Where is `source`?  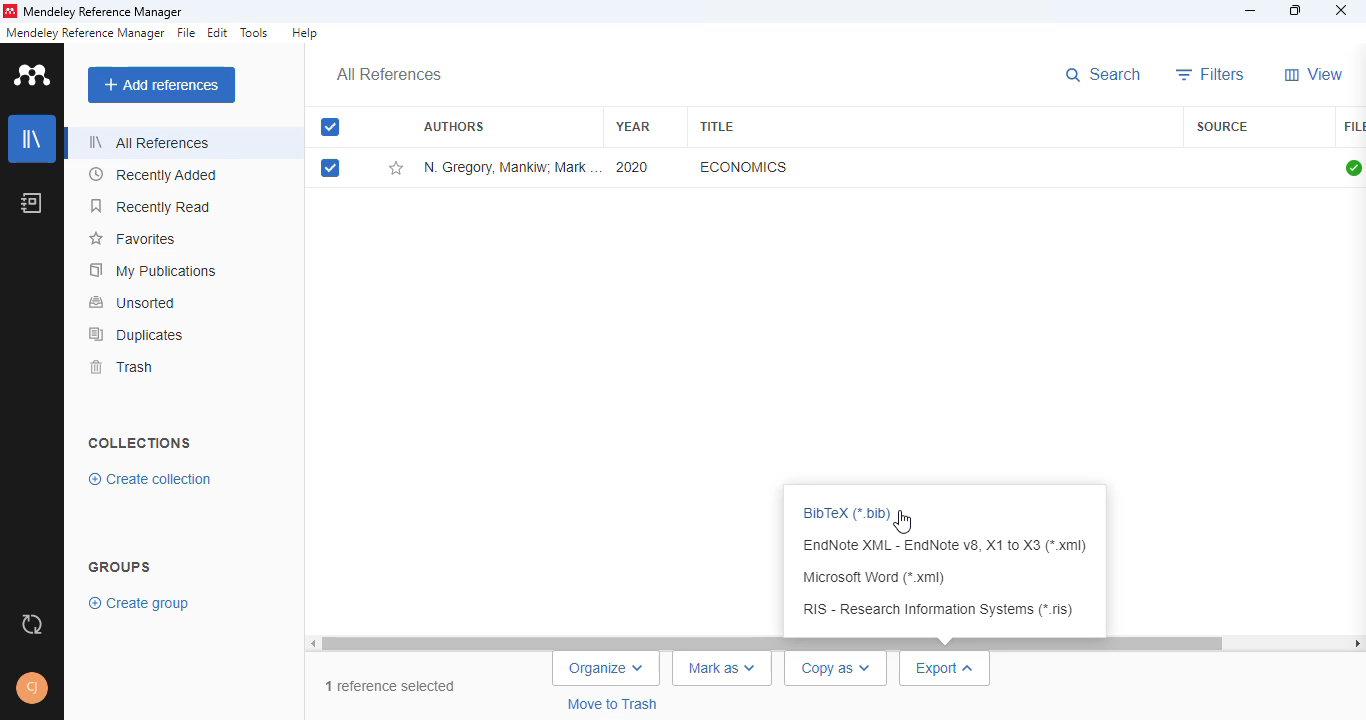 source is located at coordinates (1223, 127).